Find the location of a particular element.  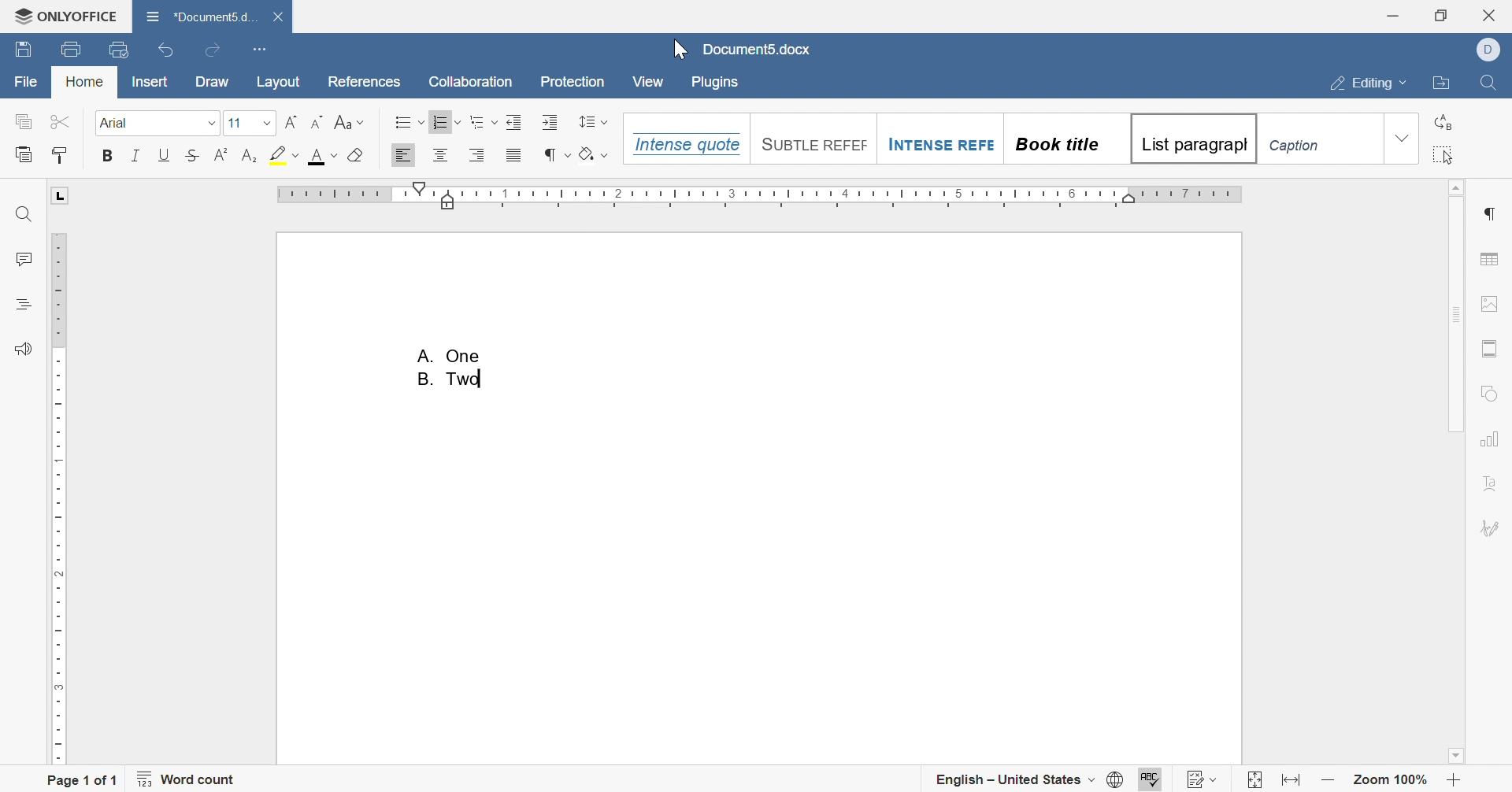

scroll bar is located at coordinates (1453, 305).